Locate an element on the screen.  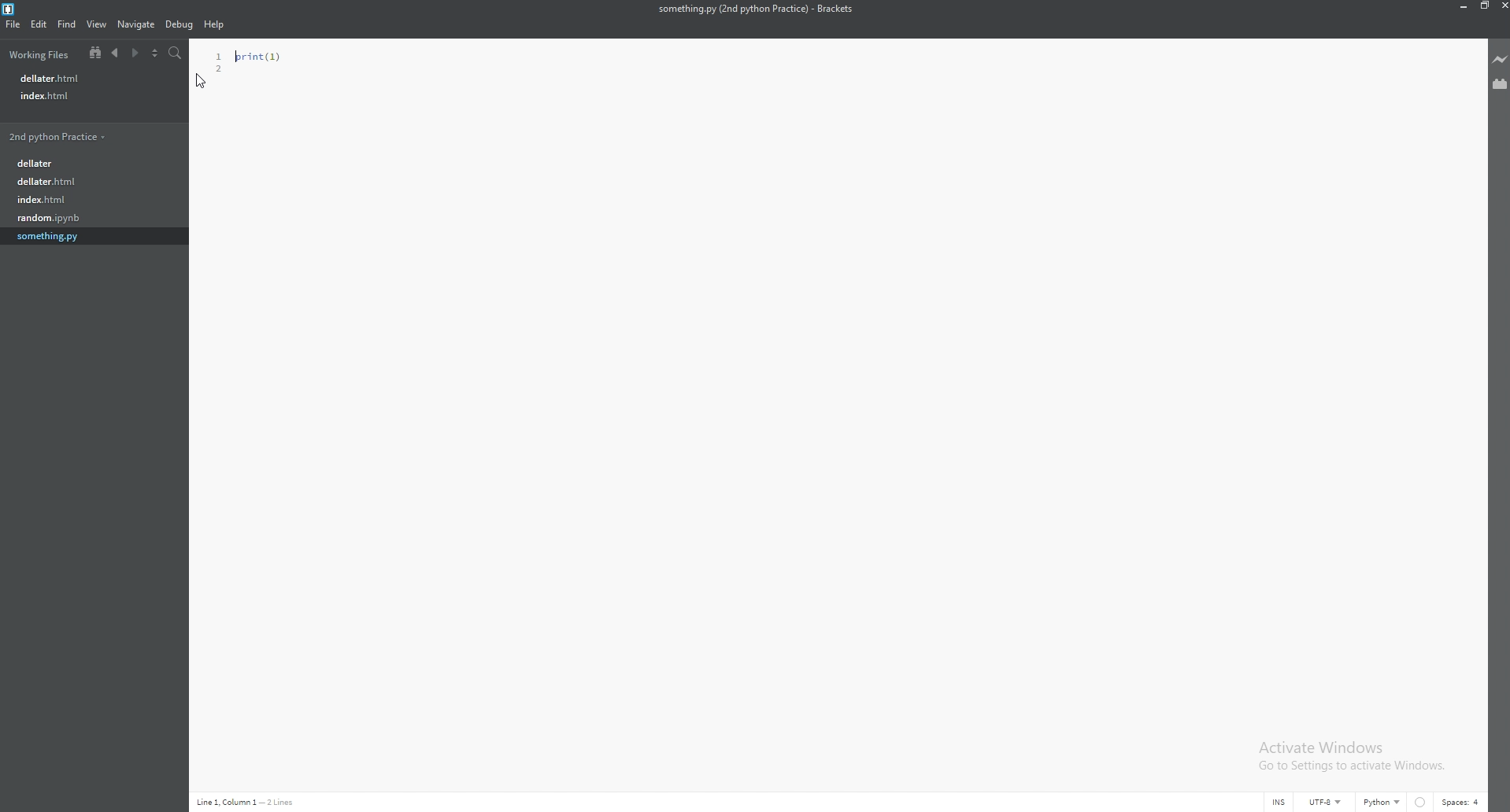
Activate Windows
Go to Settings to activate Windows. is located at coordinates (1349, 756).